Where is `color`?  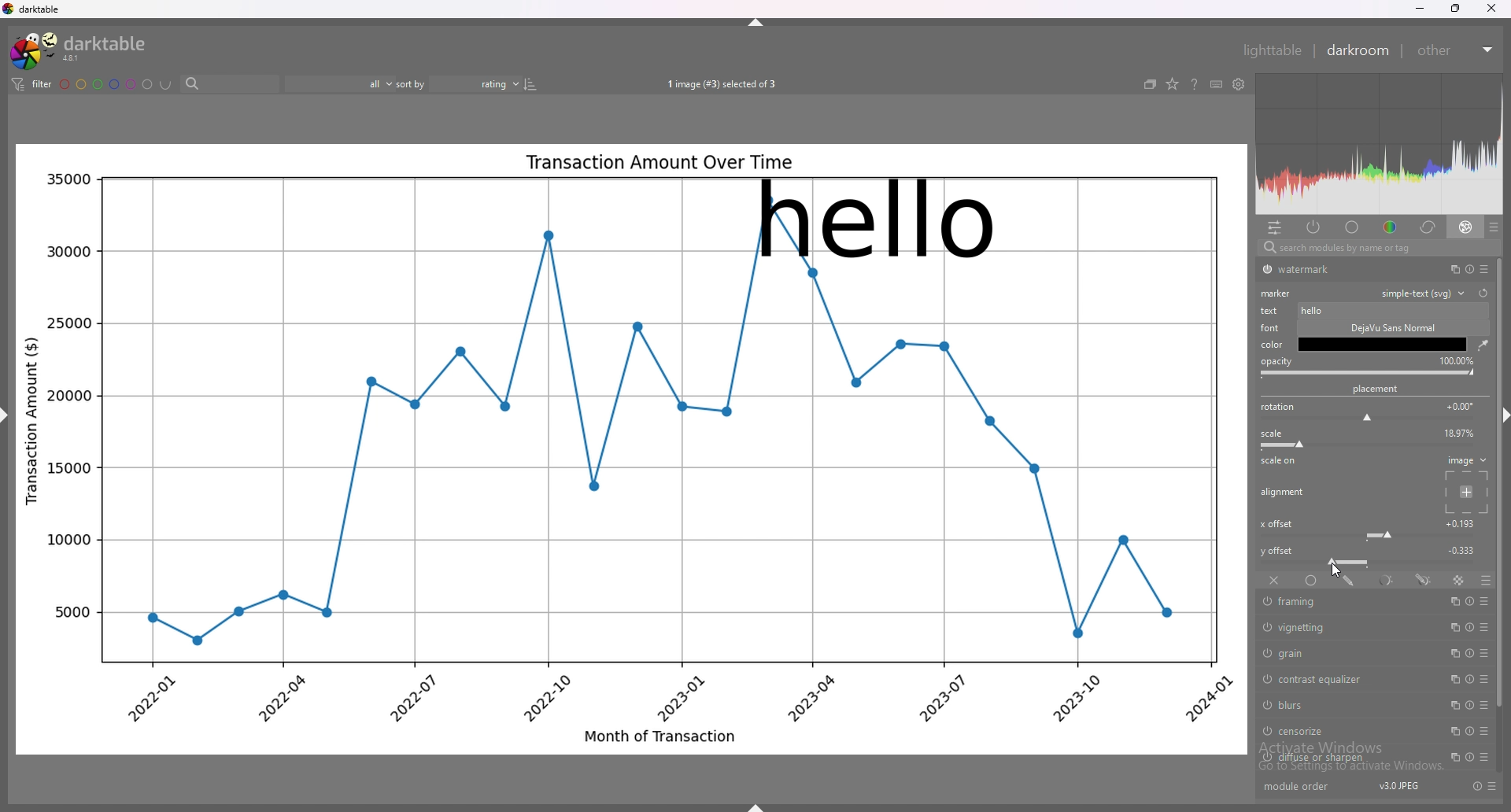 color is located at coordinates (1272, 345).